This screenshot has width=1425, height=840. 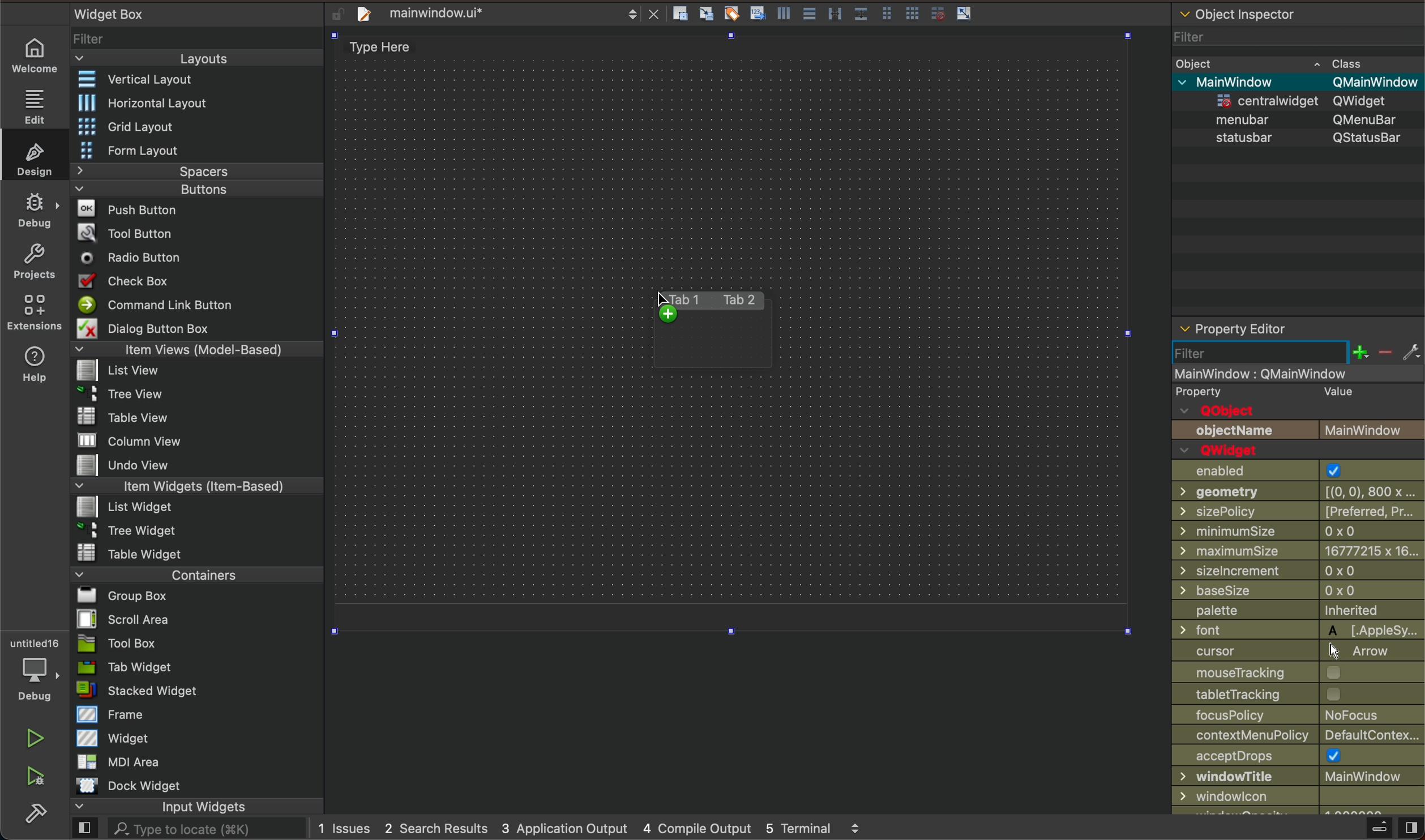 What do you see at coordinates (134, 645) in the screenshot?
I see `Tool Box` at bounding box center [134, 645].